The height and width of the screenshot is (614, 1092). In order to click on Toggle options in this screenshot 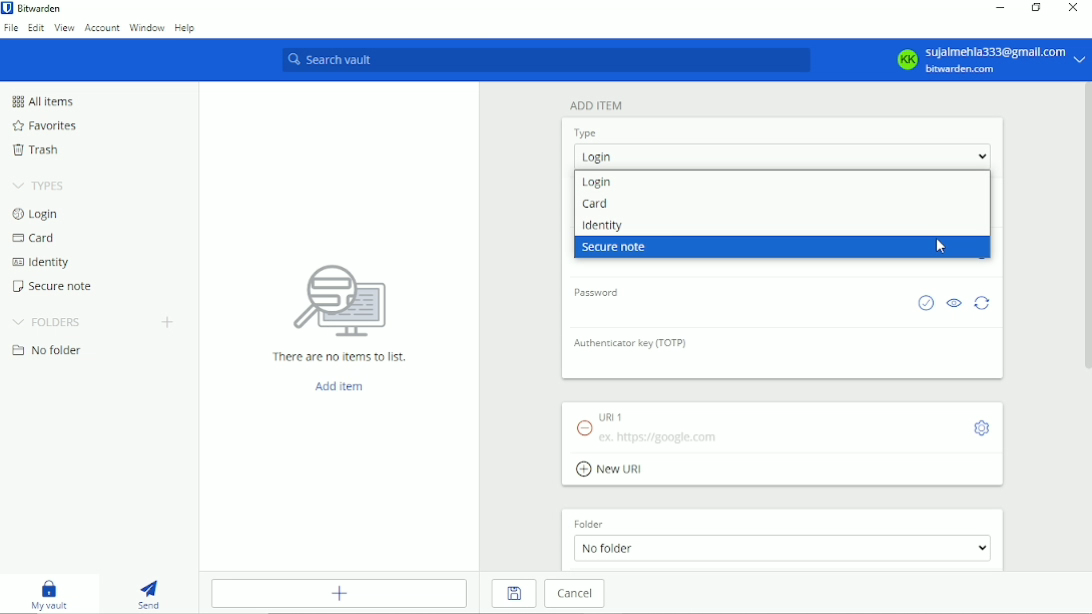, I will do `click(980, 427)`.